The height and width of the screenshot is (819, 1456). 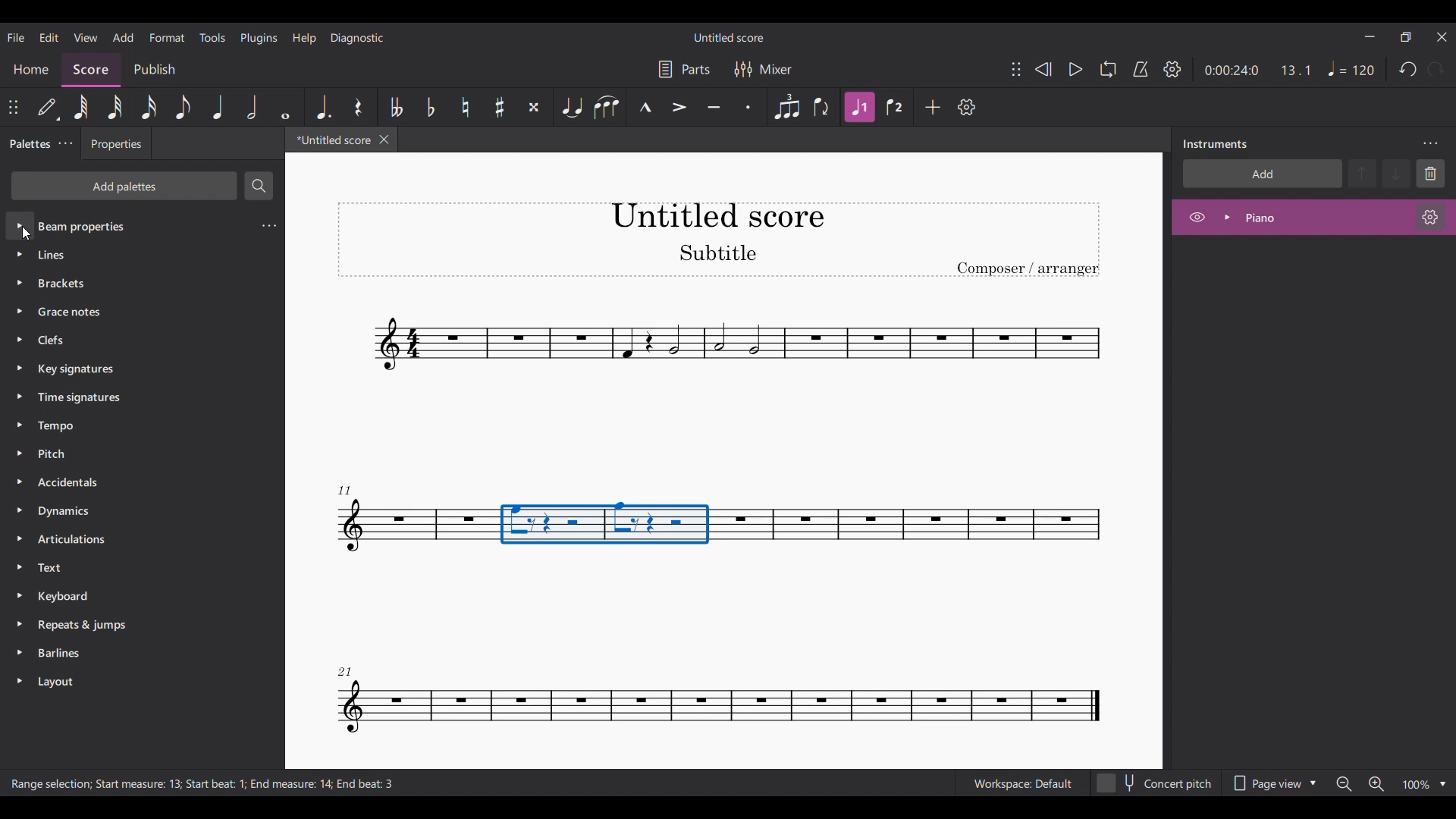 What do you see at coordinates (285, 106) in the screenshot?
I see `Whole note ` at bounding box center [285, 106].